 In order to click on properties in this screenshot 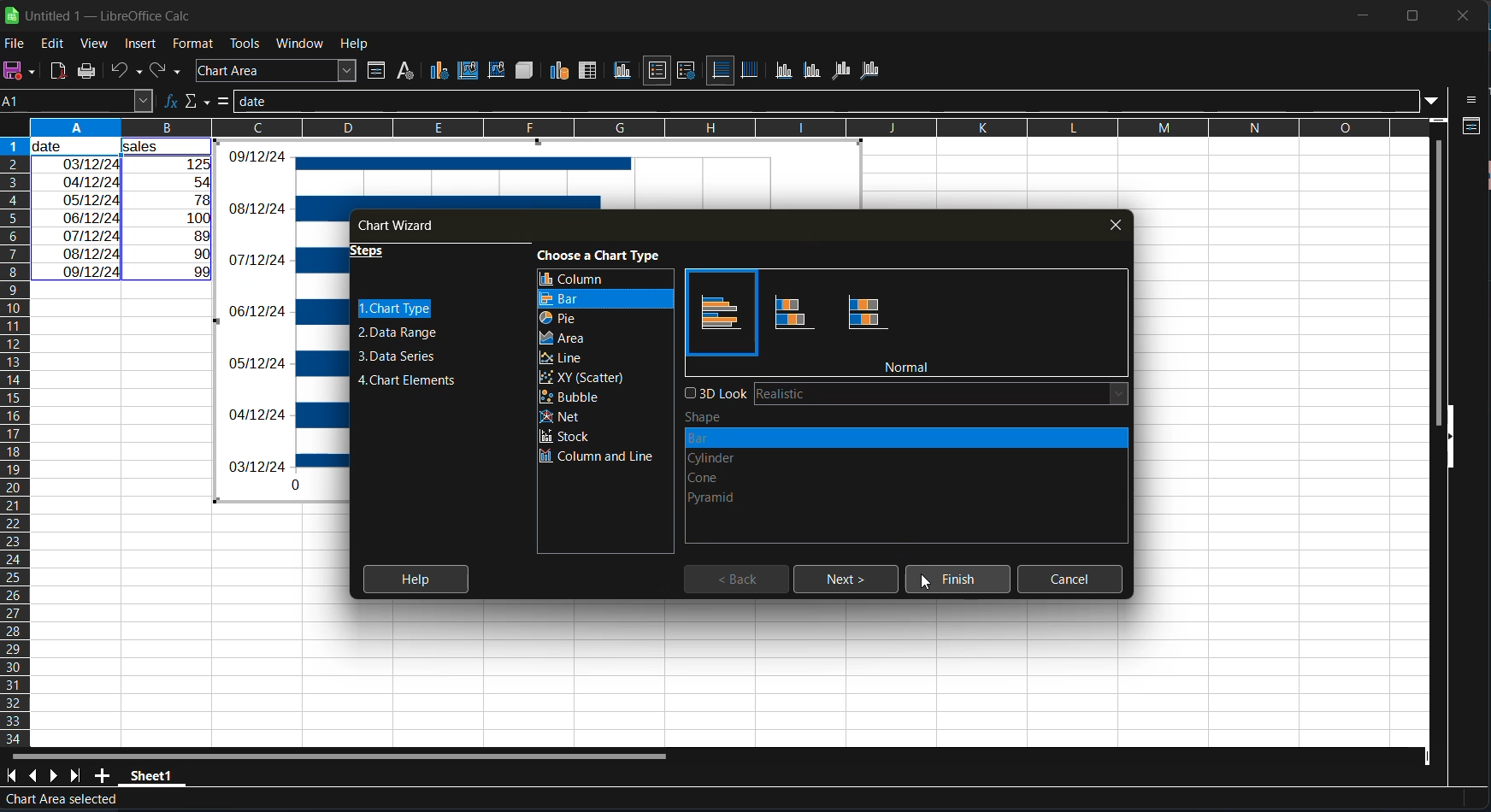, I will do `click(1470, 129)`.